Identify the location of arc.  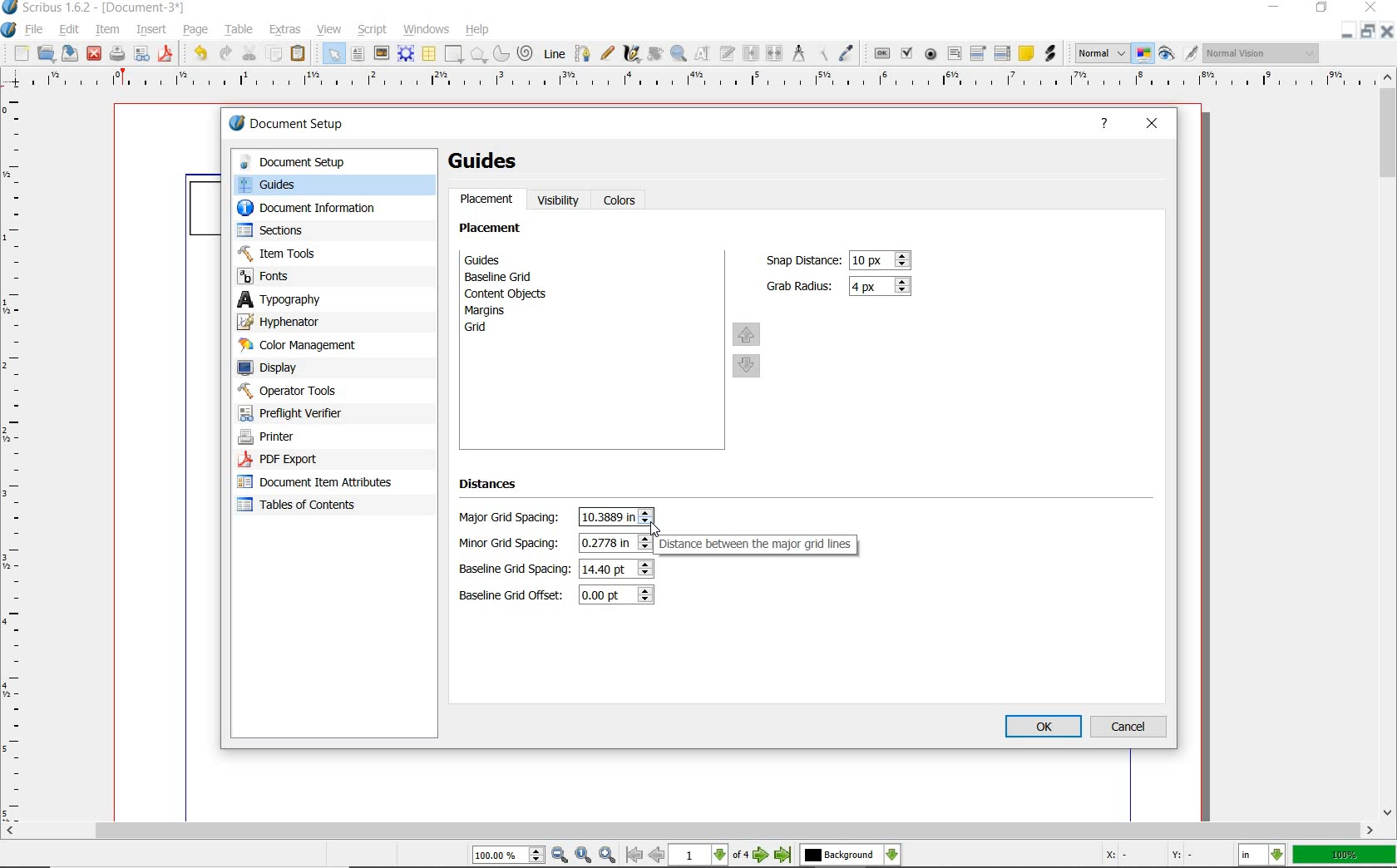
(500, 55).